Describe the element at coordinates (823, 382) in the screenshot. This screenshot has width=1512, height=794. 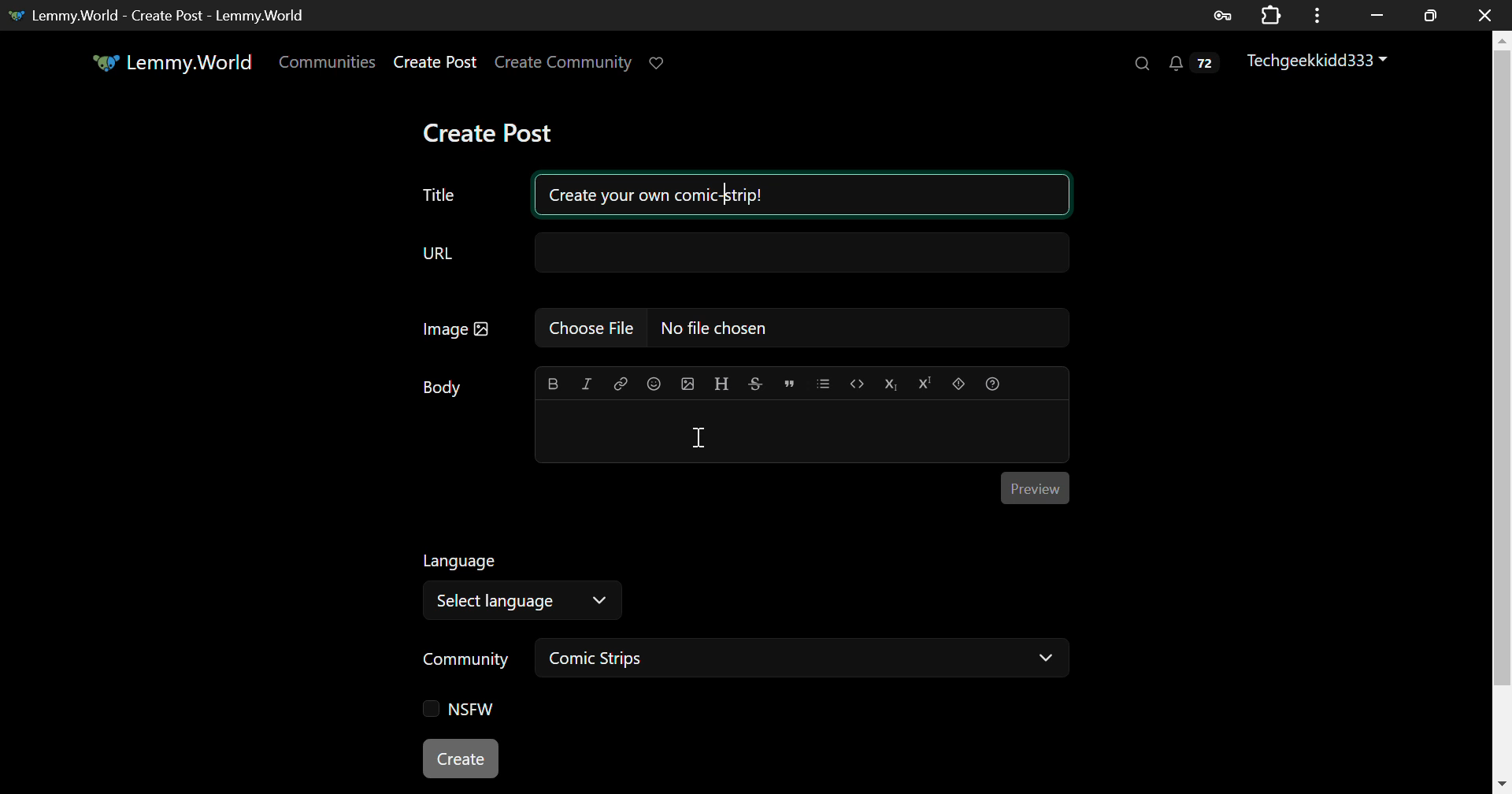
I see `List` at that location.